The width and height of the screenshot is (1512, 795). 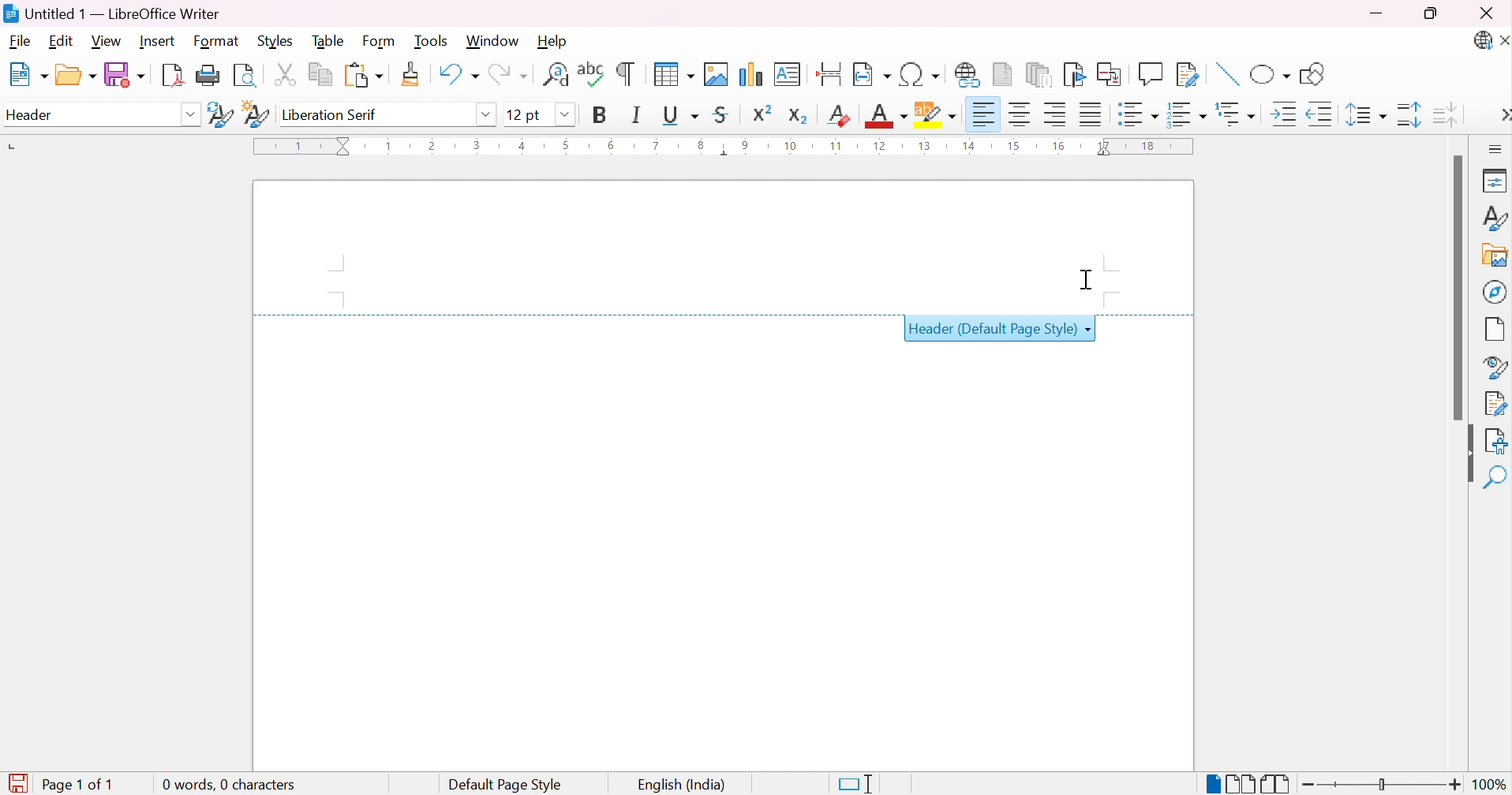 I want to click on Update selected style, so click(x=219, y=115).